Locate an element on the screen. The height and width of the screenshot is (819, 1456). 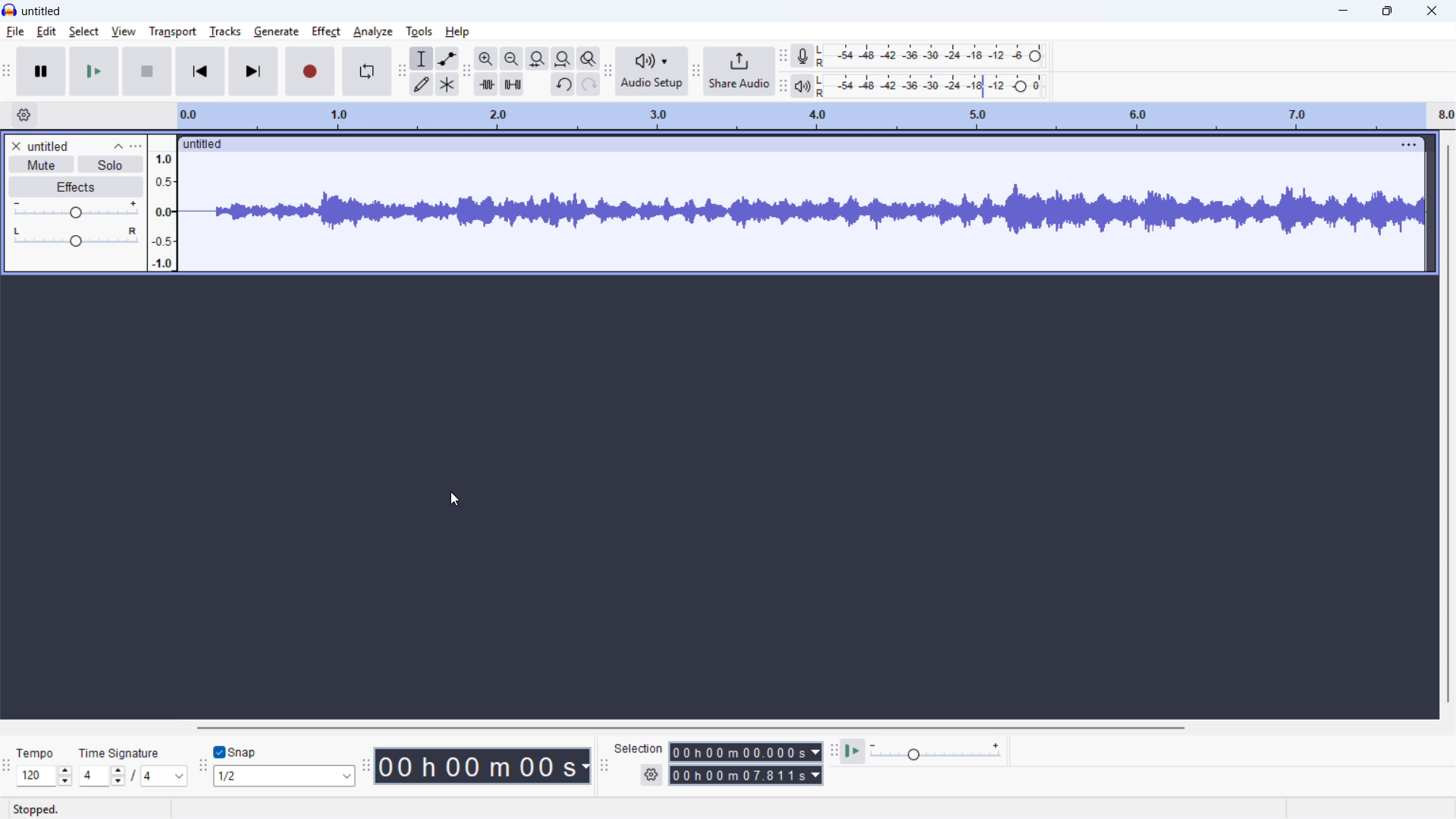
play at speed toolbar is located at coordinates (832, 752).